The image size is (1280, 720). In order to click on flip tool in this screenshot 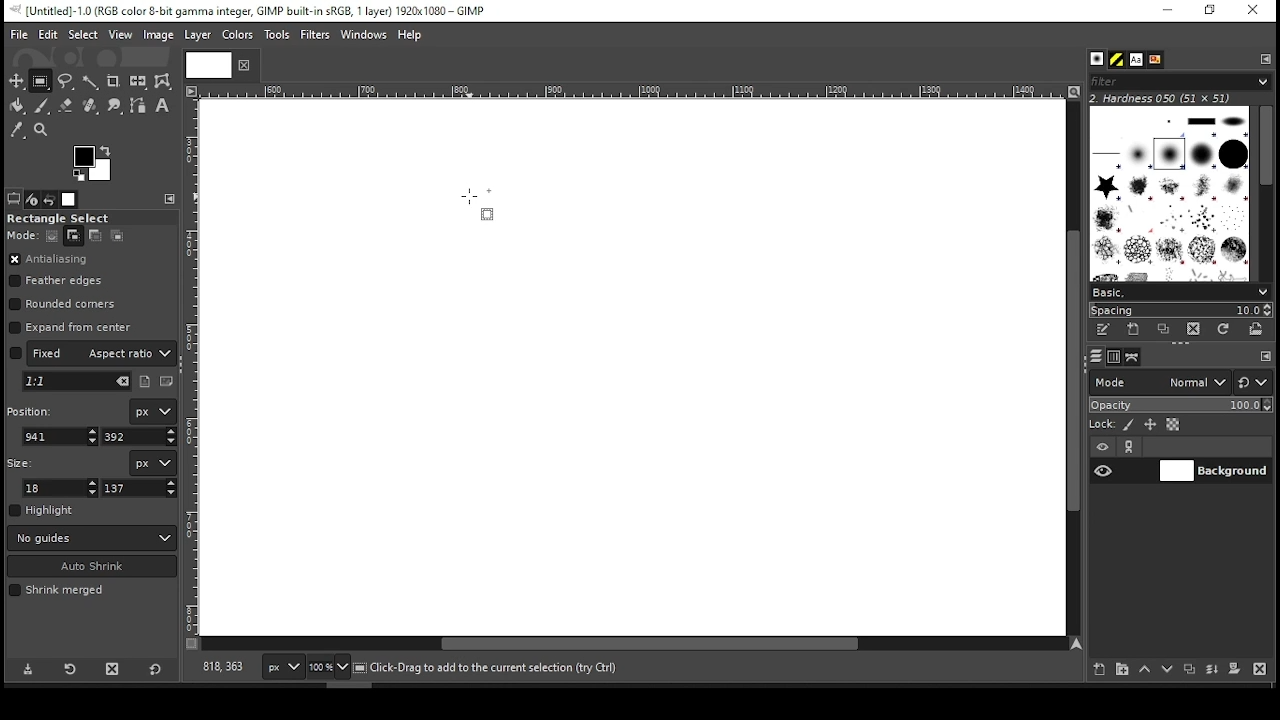, I will do `click(138, 80)`.